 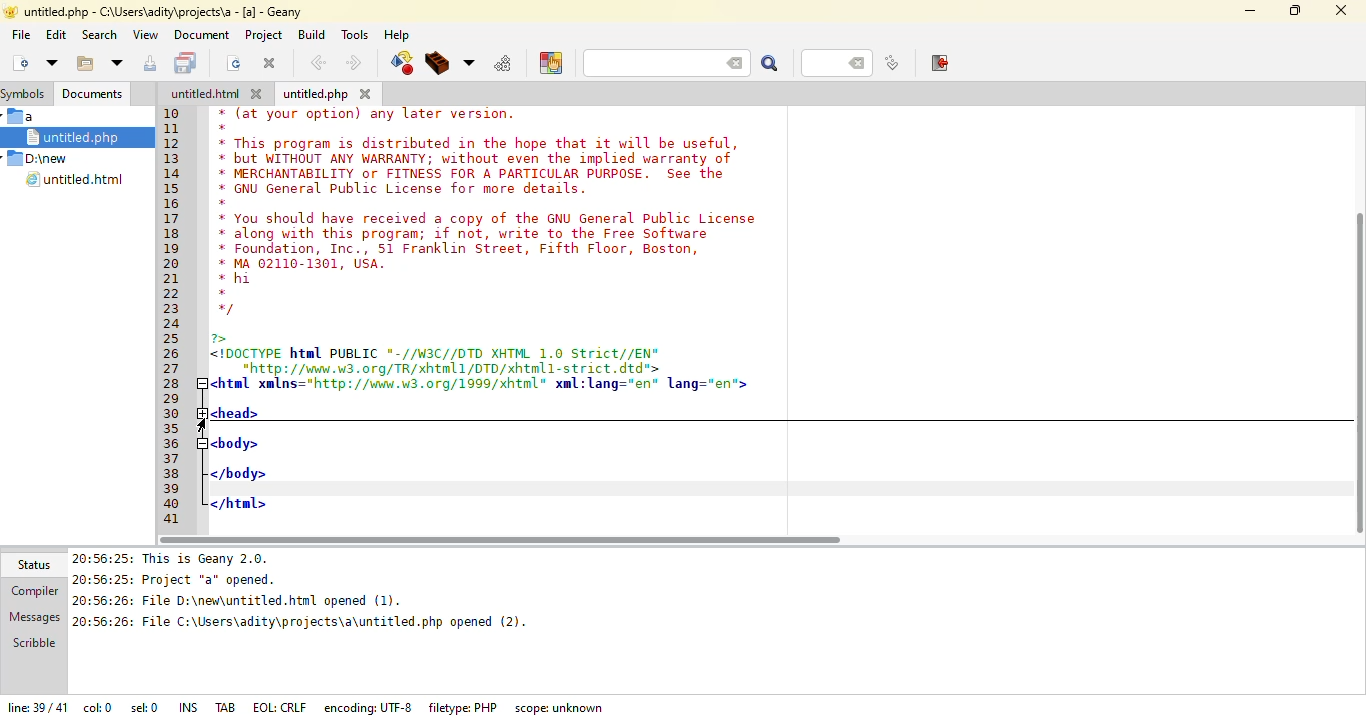 What do you see at coordinates (176, 320) in the screenshot?
I see `line number` at bounding box center [176, 320].